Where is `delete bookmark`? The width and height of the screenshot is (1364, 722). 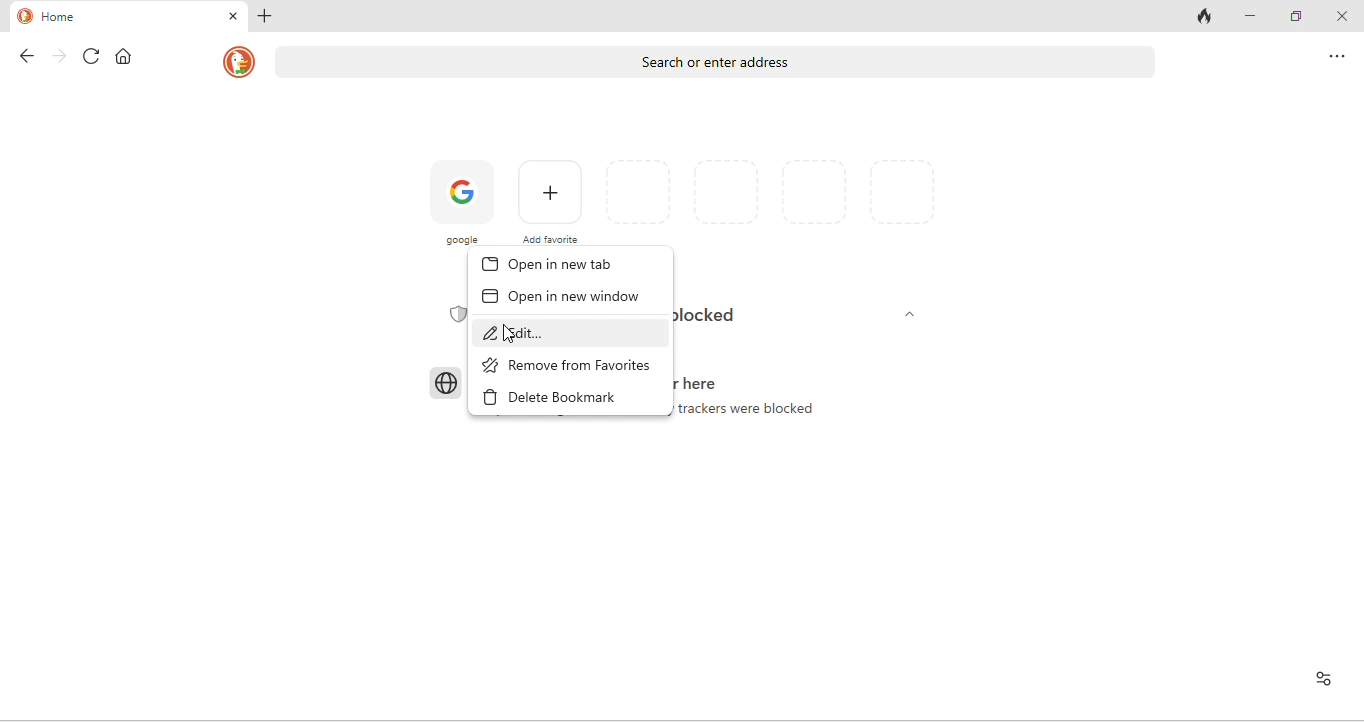 delete bookmark is located at coordinates (572, 398).